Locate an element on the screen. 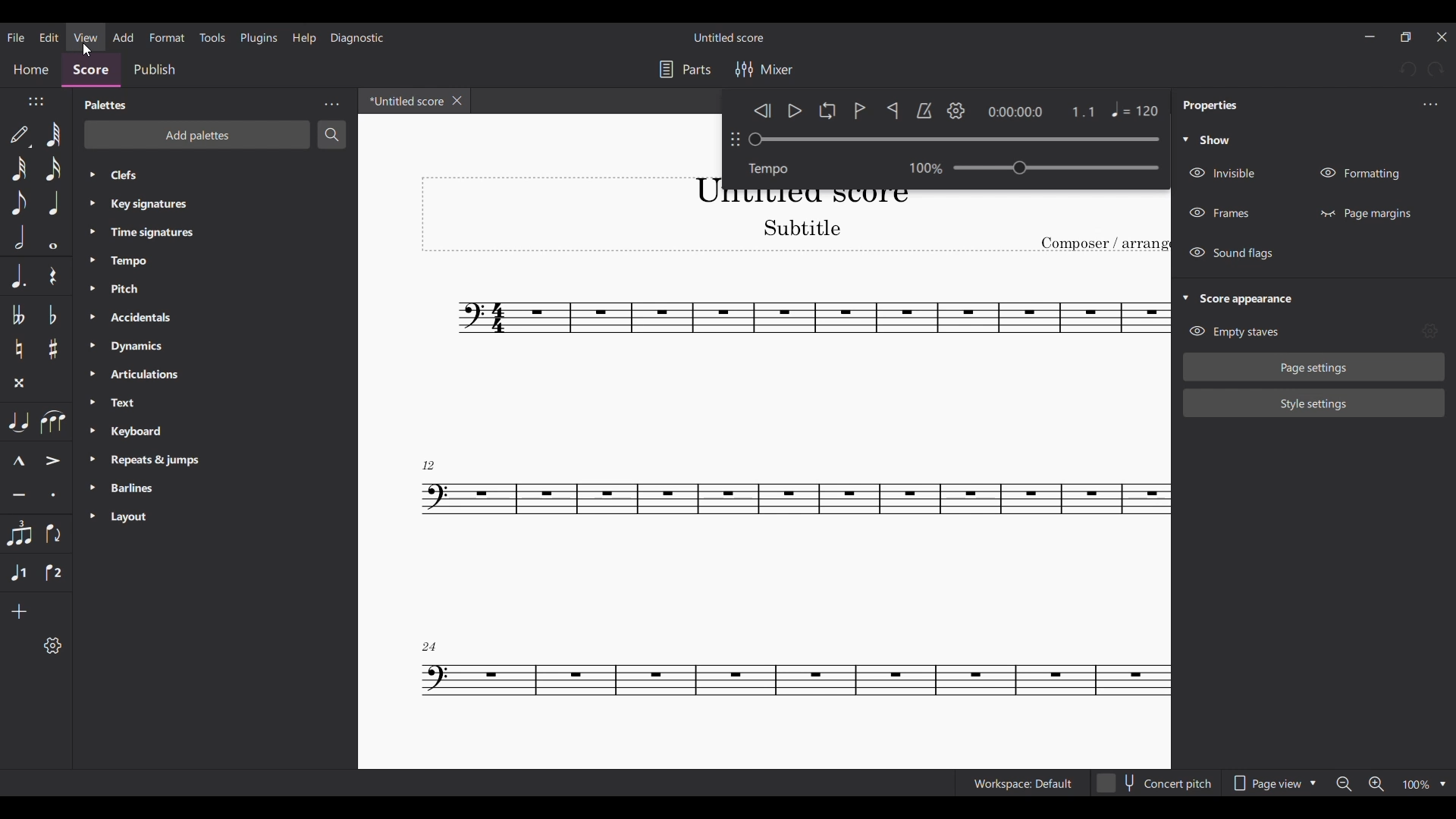 The height and width of the screenshot is (819, 1456). Zoom in is located at coordinates (1376, 784).